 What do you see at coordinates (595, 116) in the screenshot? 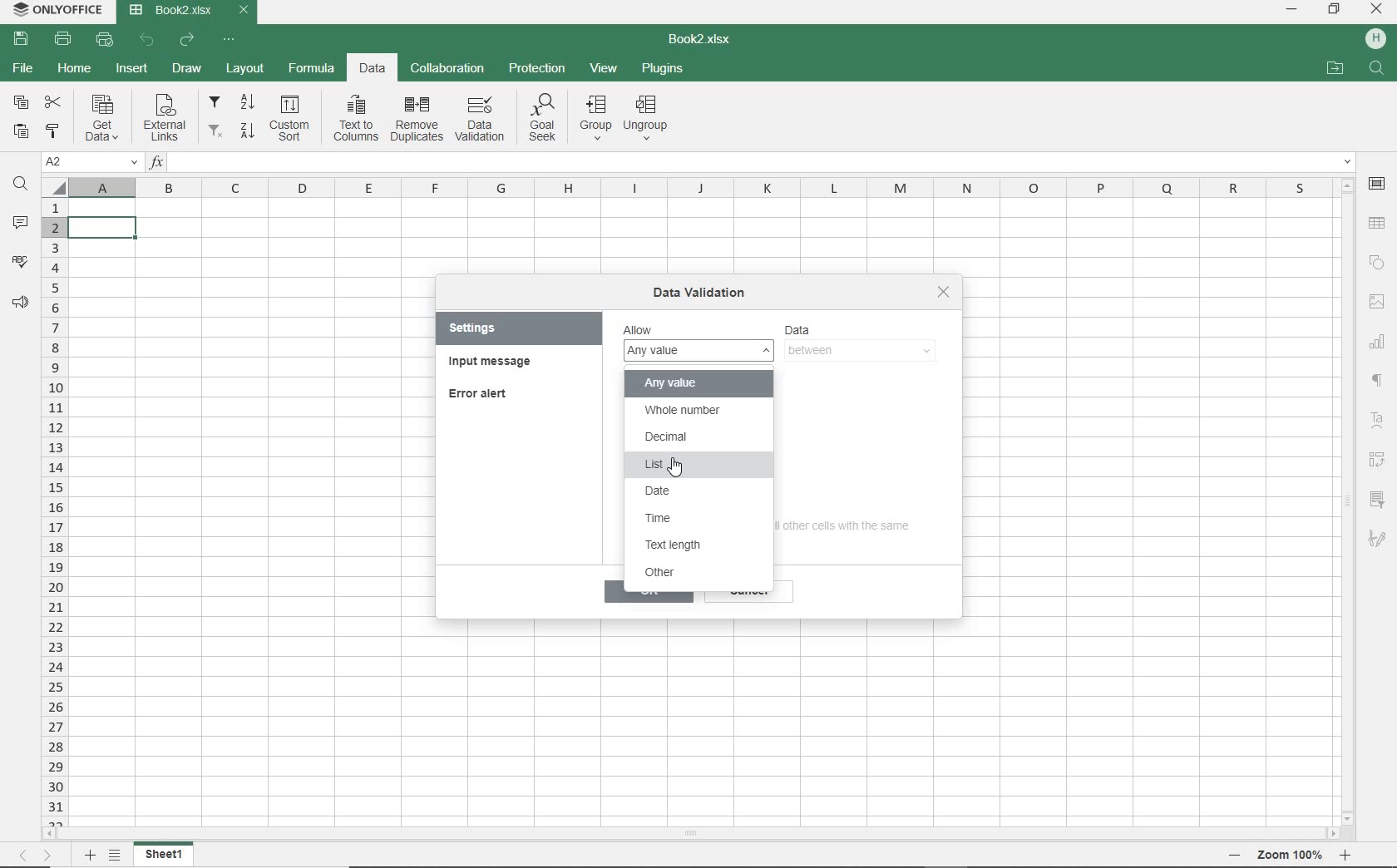
I see `group` at bounding box center [595, 116].